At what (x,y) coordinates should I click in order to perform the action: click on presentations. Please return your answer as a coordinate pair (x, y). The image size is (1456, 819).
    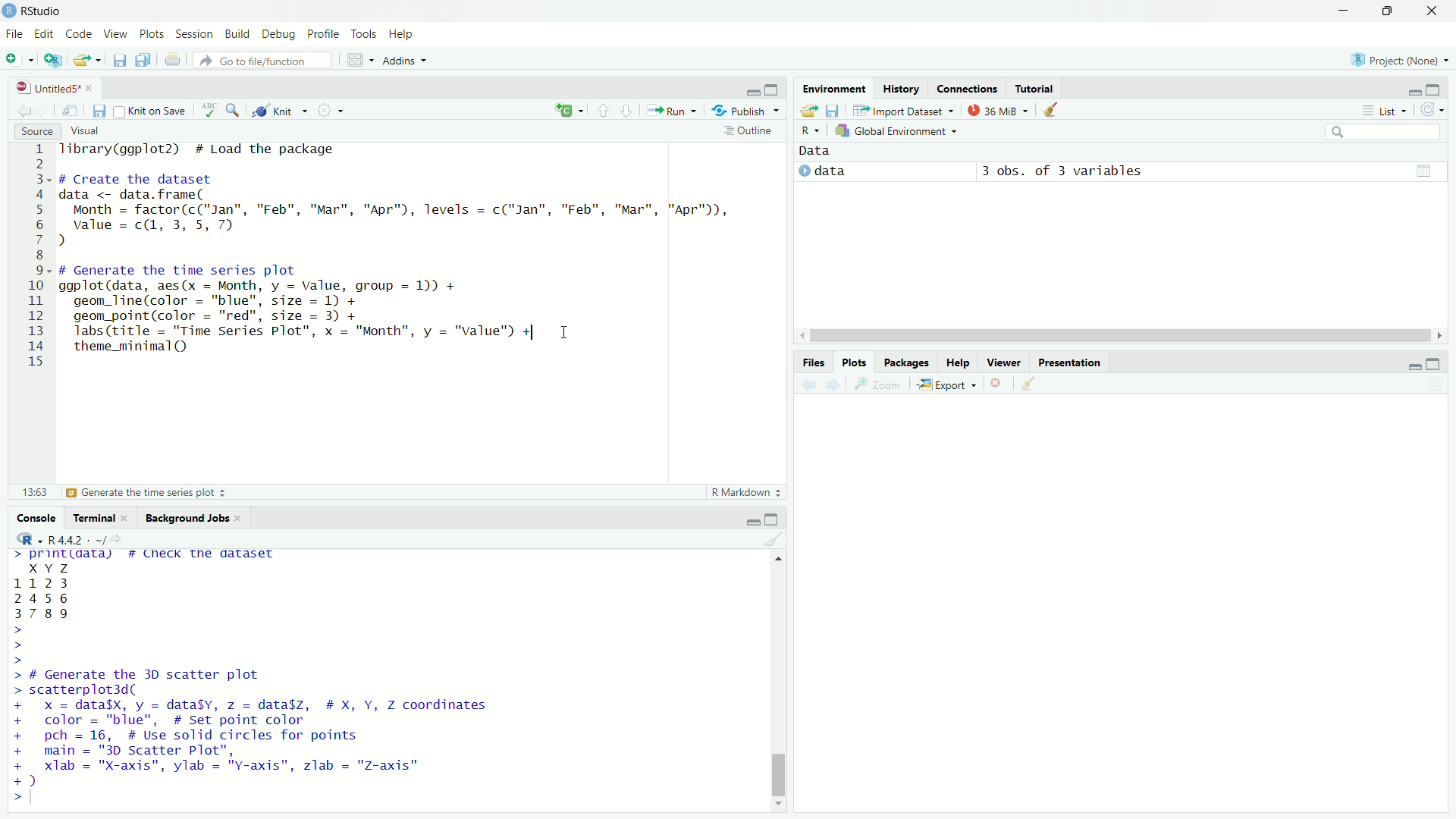
    Looking at the image, I should click on (1072, 361).